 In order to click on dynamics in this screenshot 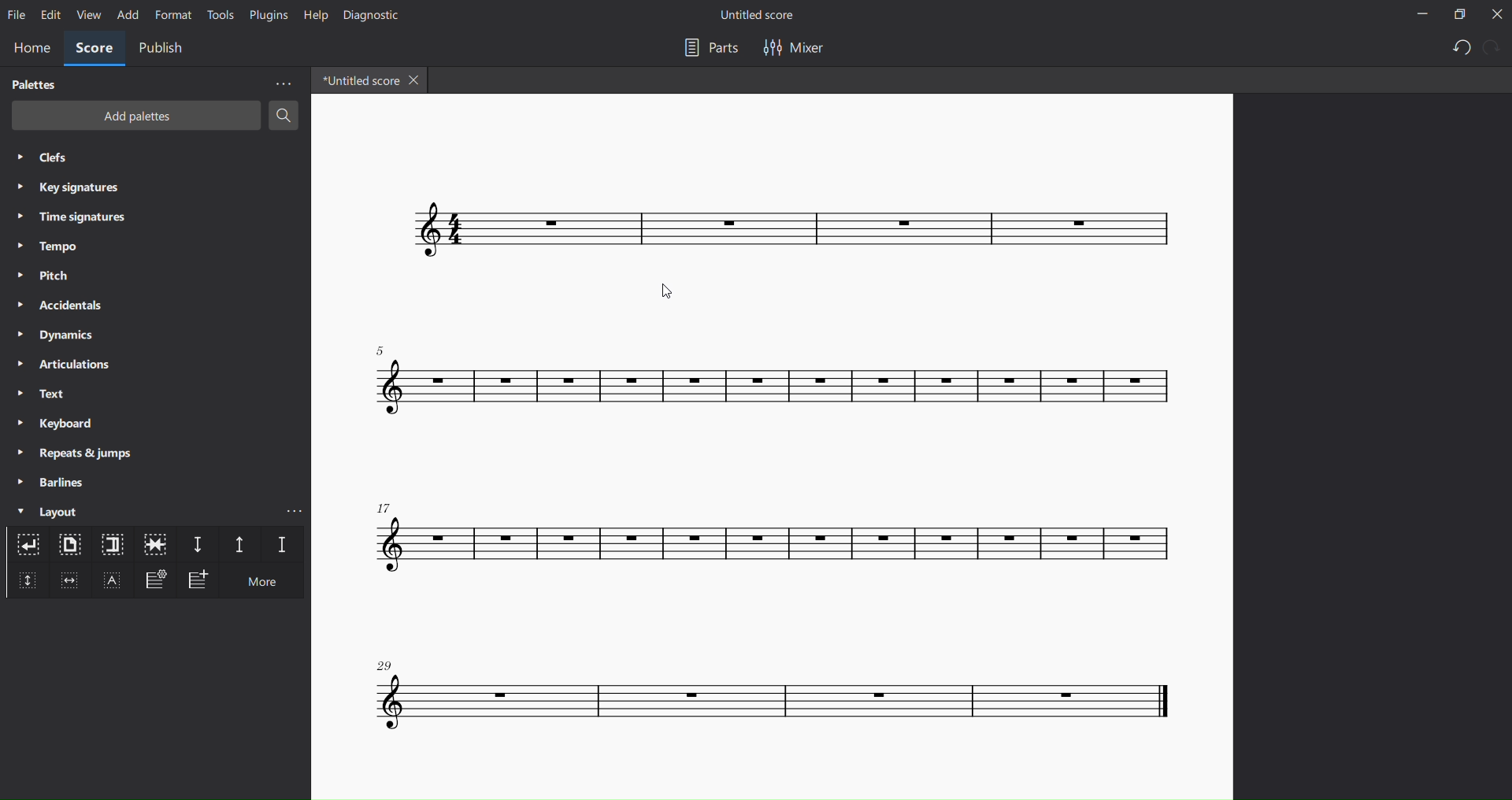, I will do `click(59, 334)`.